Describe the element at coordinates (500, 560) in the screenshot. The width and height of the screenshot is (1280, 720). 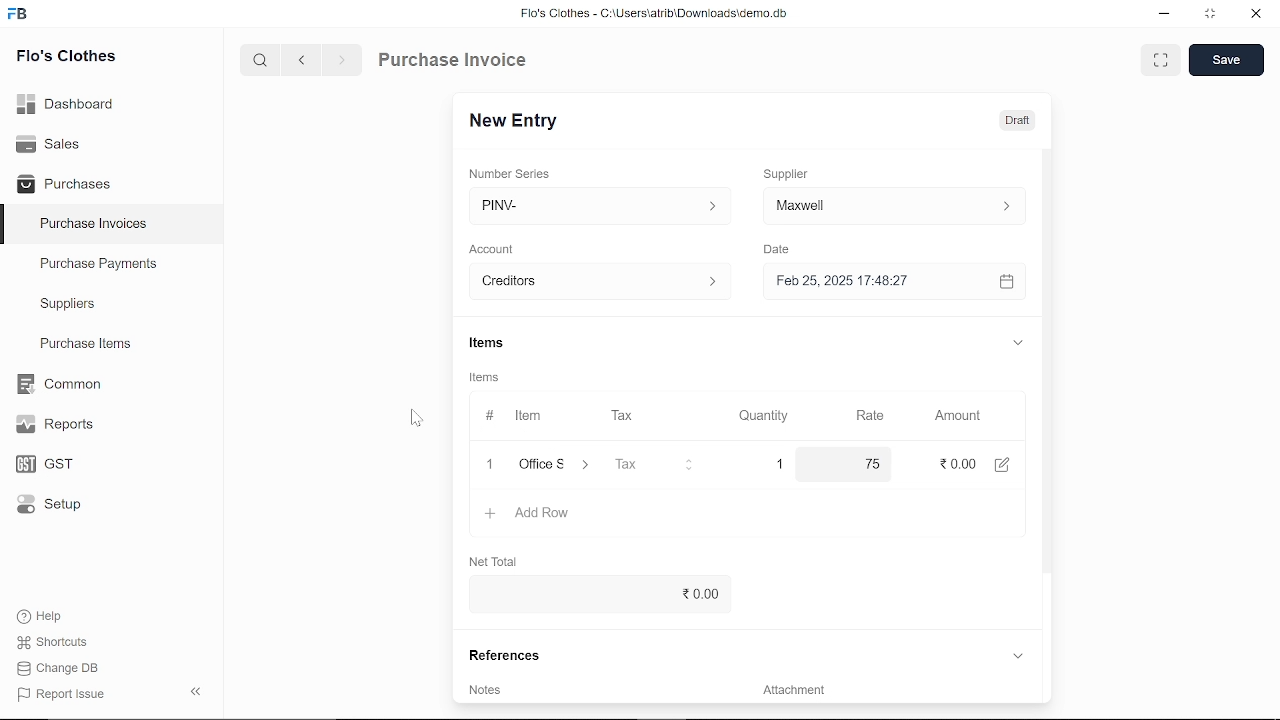
I see `Net Total` at that location.